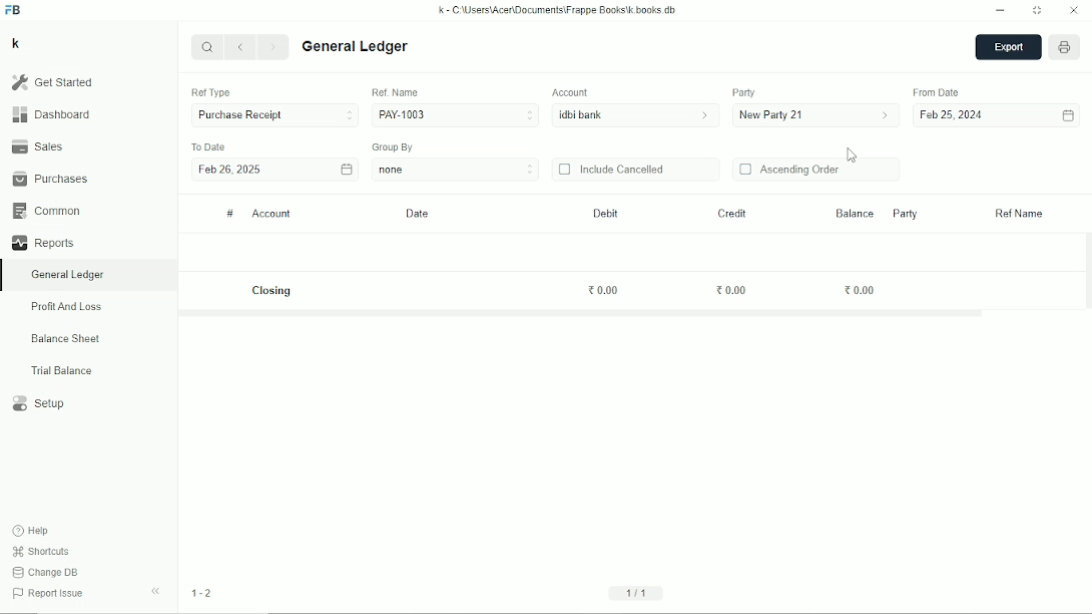 The width and height of the screenshot is (1092, 614). I want to click on Search, so click(207, 46).